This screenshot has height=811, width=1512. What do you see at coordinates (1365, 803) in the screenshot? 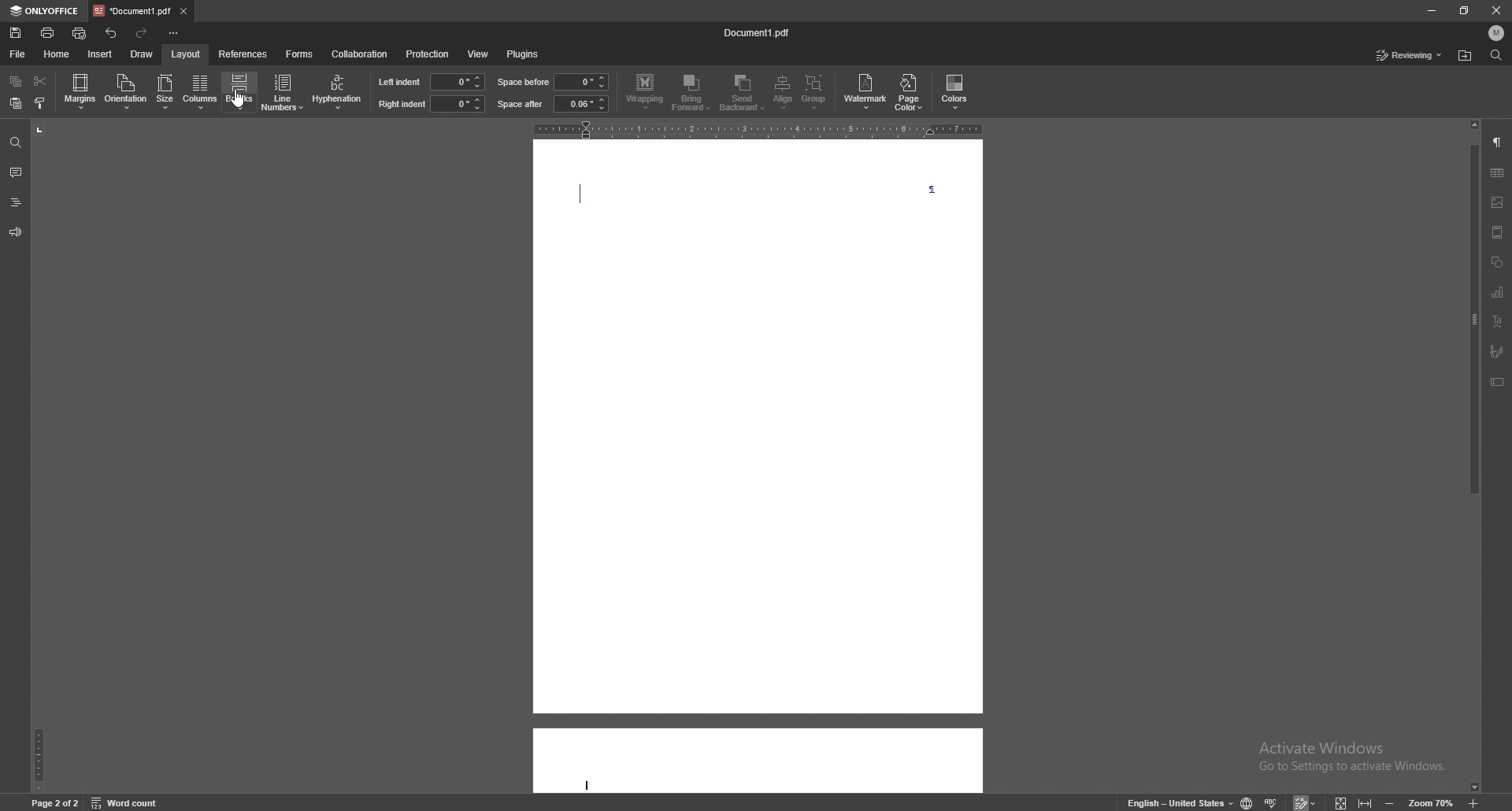
I see `fit to width` at bounding box center [1365, 803].